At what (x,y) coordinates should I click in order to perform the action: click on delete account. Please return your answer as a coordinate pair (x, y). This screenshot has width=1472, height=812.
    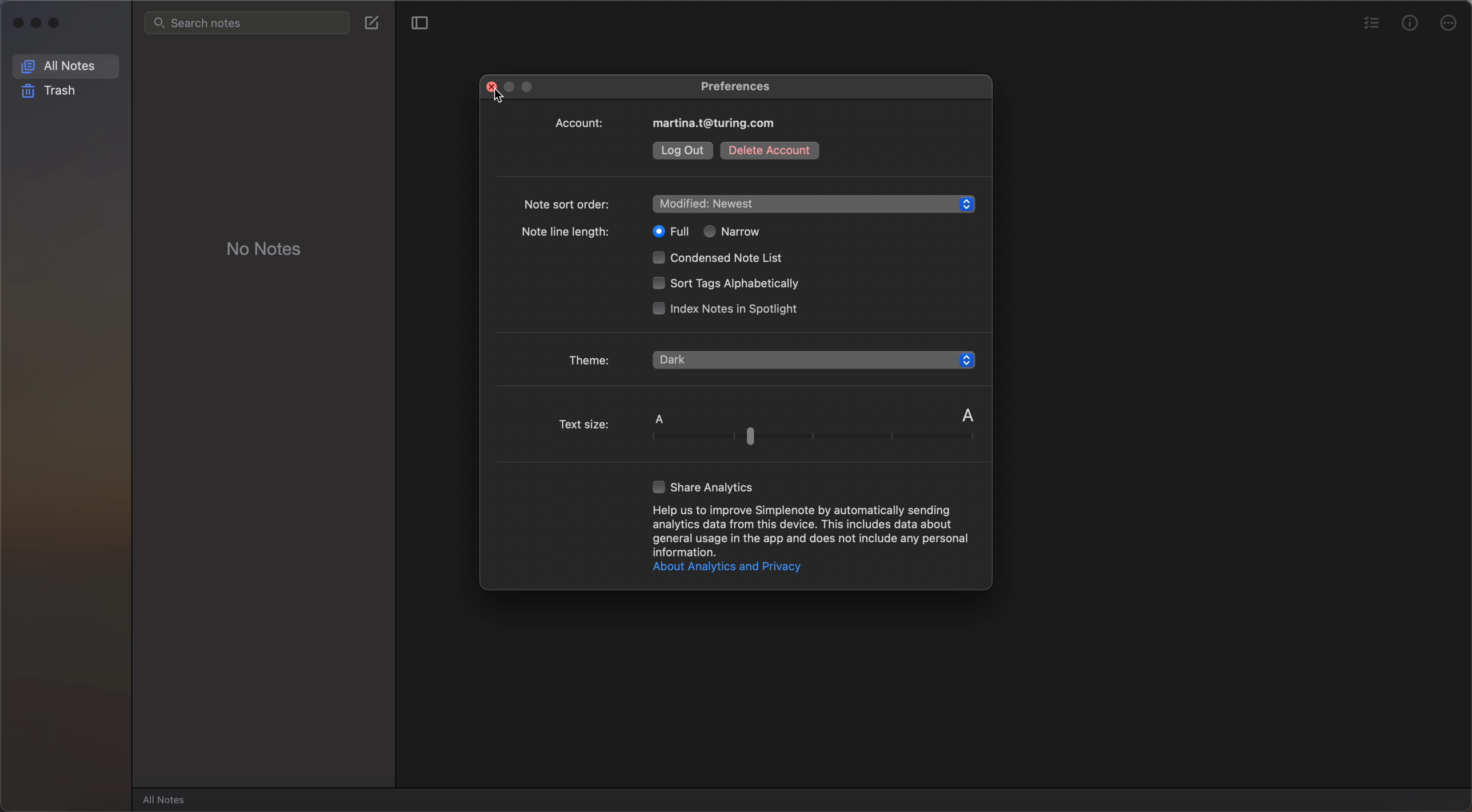
    Looking at the image, I should click on (769, 150).